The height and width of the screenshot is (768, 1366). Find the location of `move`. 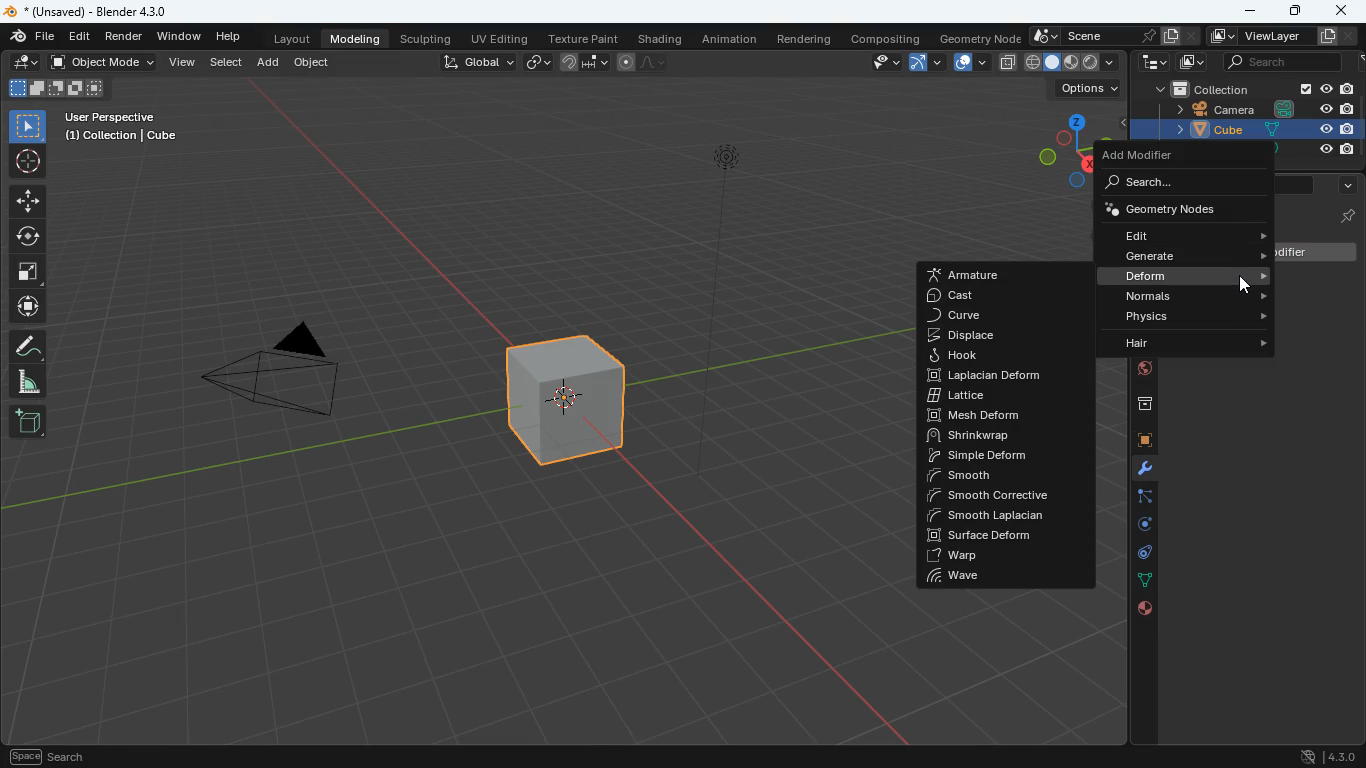

move is located at coordinates (28, 200).